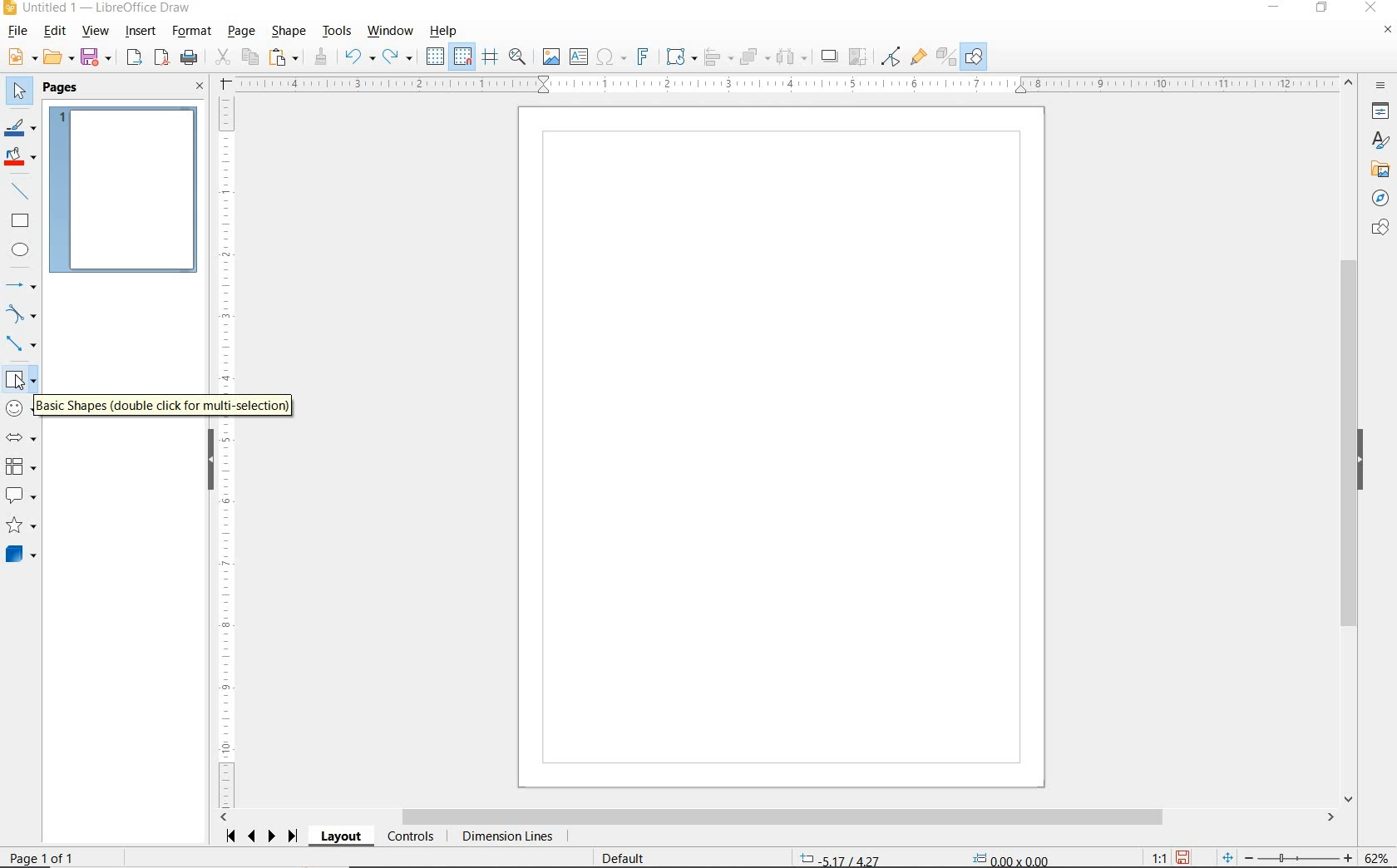 This screenshot has height=868, width=1397. I want to click on INSERT FRONTWORK TEXT, so click(642, 57).